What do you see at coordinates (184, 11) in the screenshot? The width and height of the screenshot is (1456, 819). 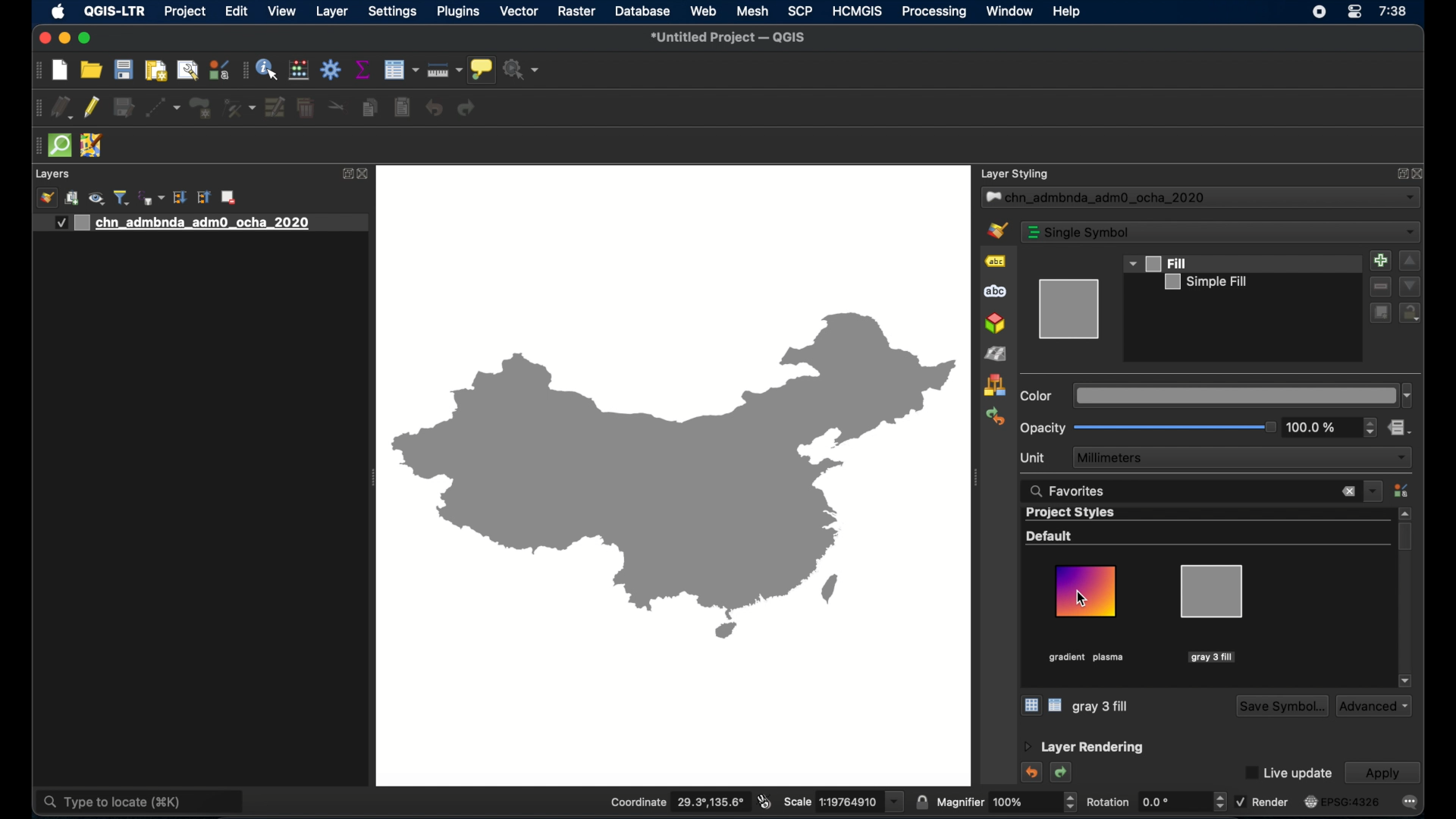 I see `project` at bounding box center [184, 11].